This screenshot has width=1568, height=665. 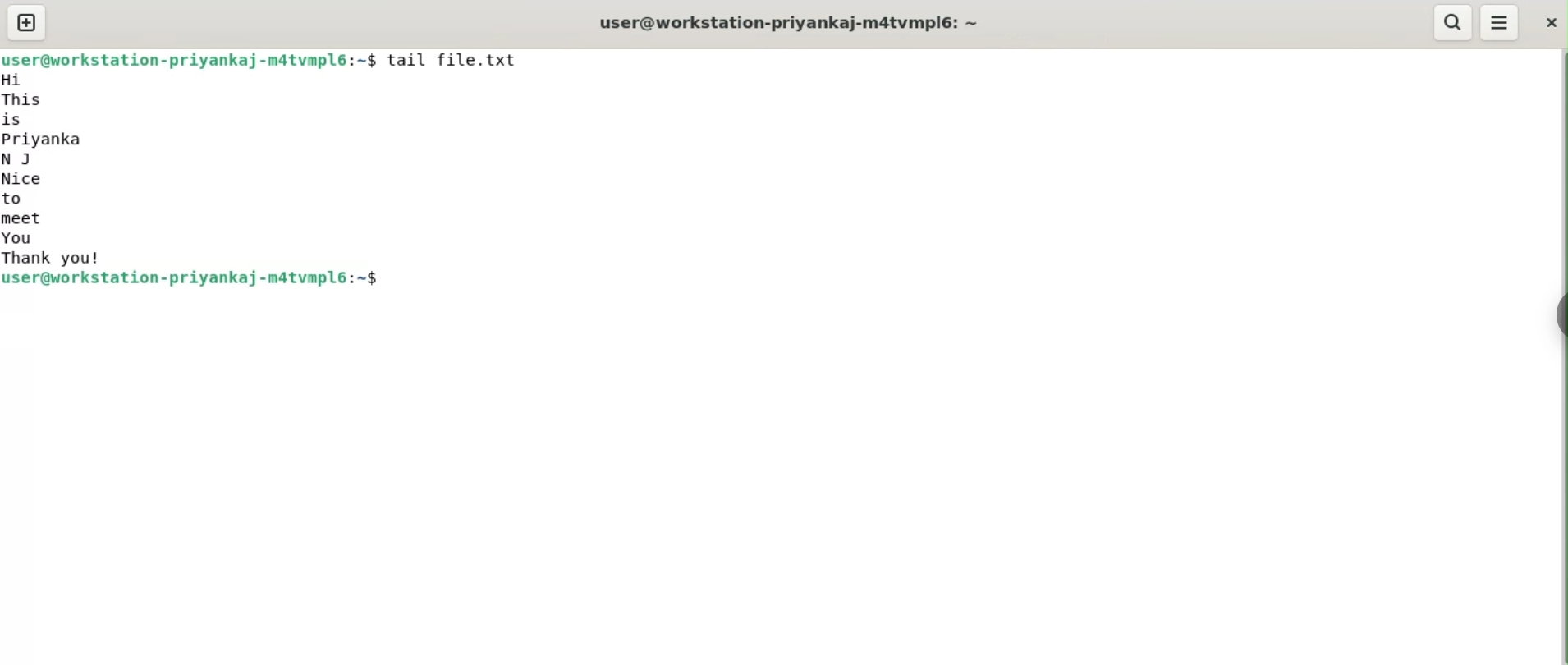 What do you see at coordinates (795, 20) in the screenshot?
I see `terminal title : user@workstation-priyankaj-m4tvmpl6:~` at bounding box center [795, 20].